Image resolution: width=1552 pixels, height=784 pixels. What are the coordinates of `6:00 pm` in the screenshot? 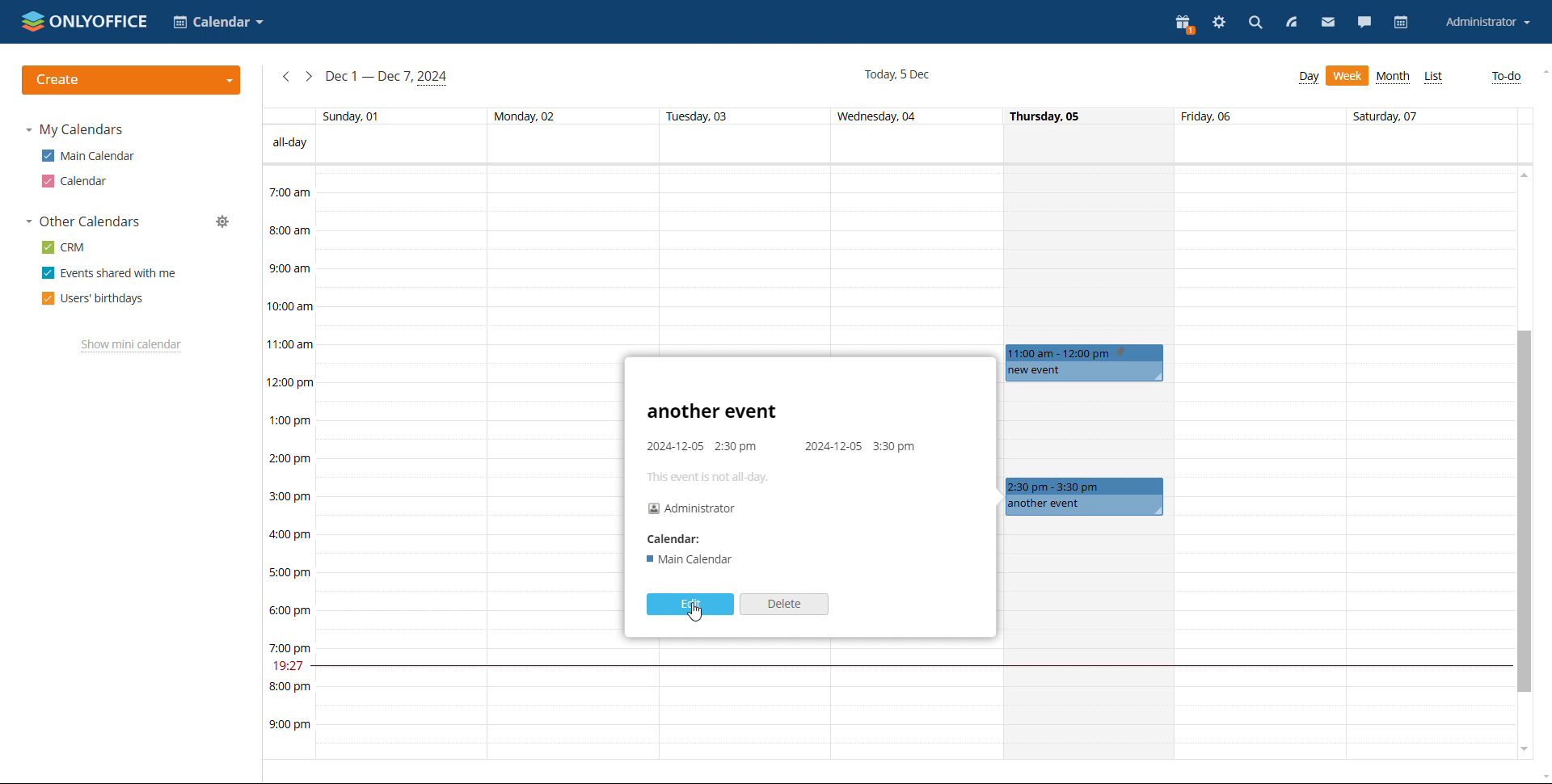 It's located at (289, 611).